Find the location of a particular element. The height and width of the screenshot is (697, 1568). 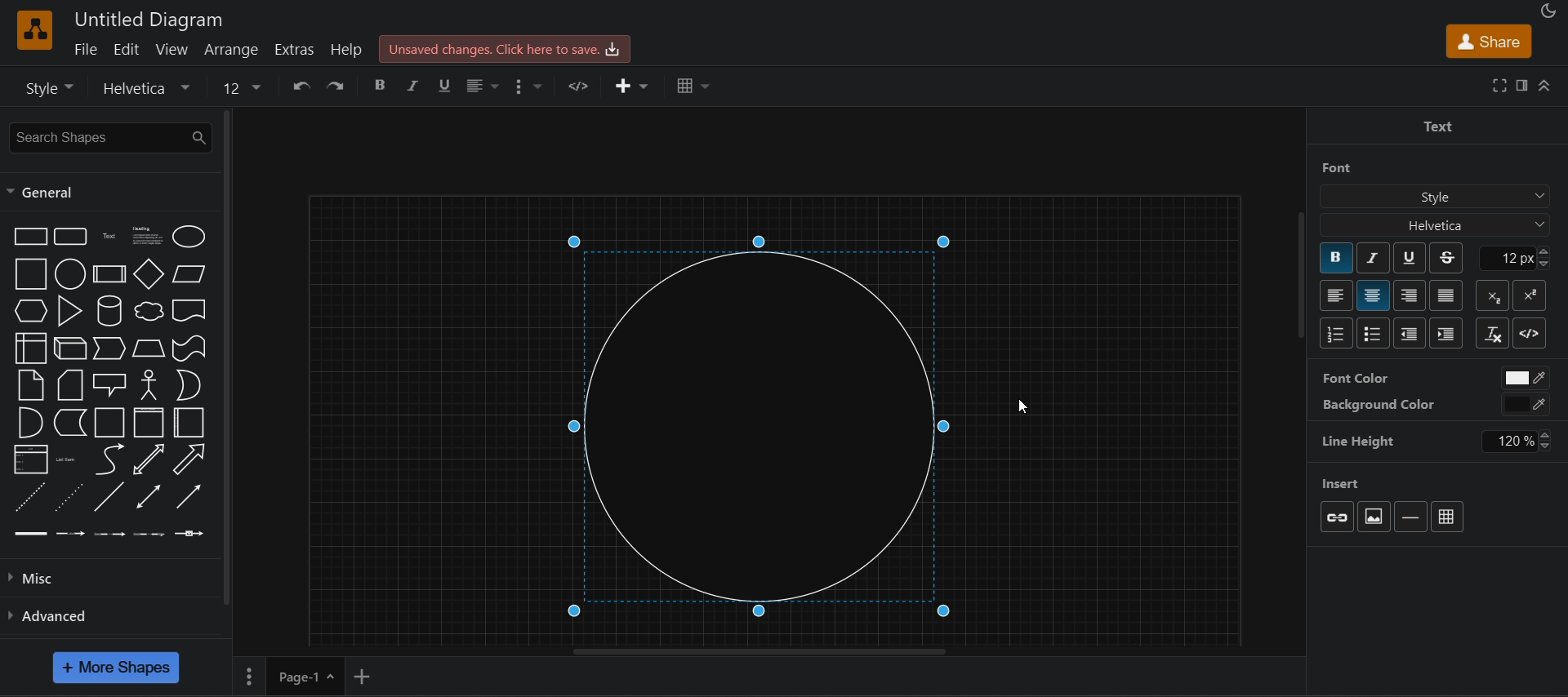

extras is located at coordinates (295, 51).